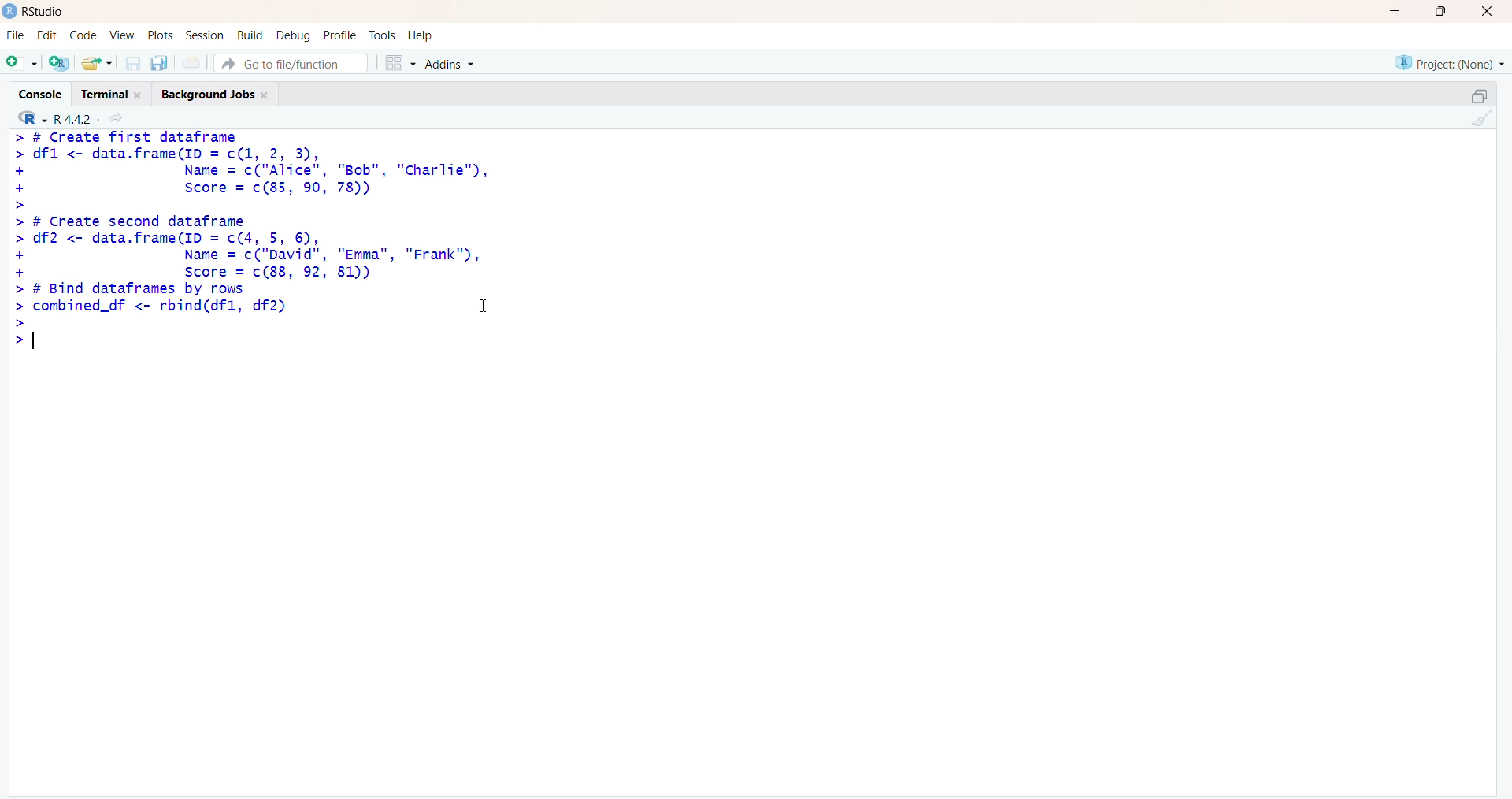  Describe the element at coordinates (217, 92) in the screenshot. I see `Background Jobs` at that location.